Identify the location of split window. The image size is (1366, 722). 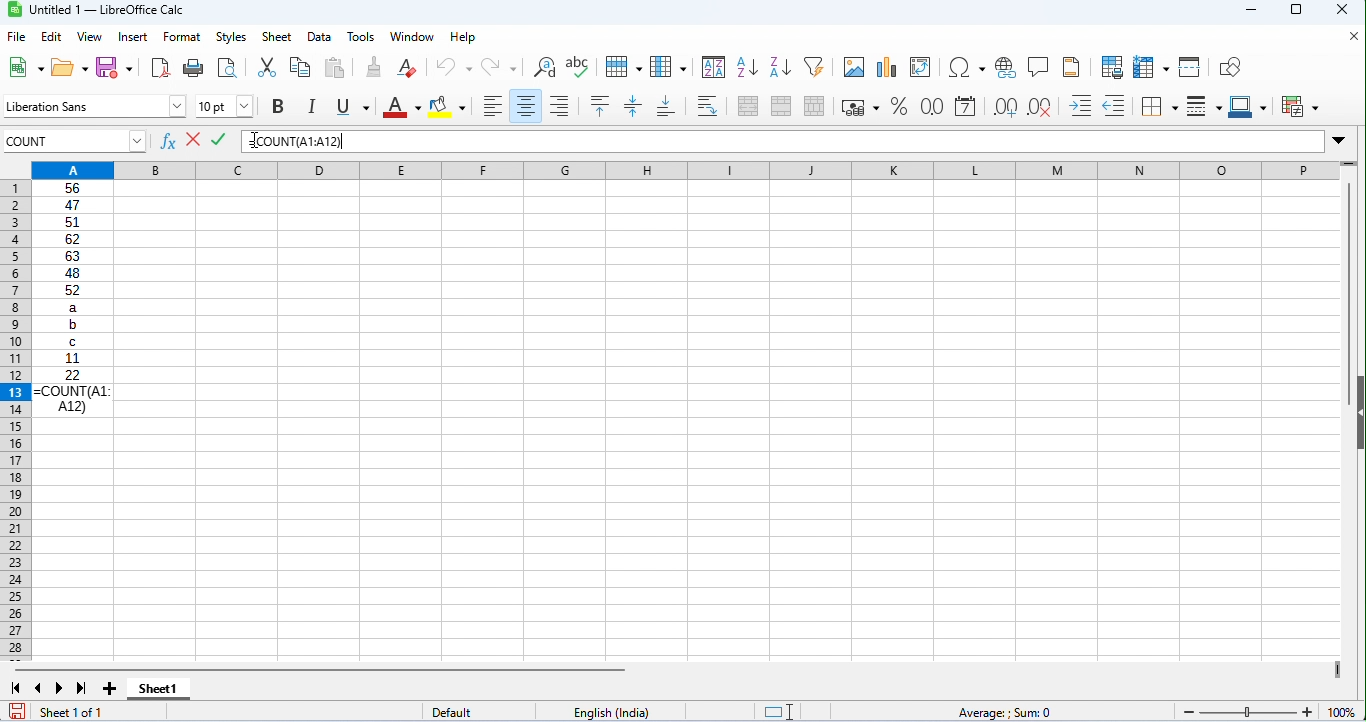
(1190, 67).